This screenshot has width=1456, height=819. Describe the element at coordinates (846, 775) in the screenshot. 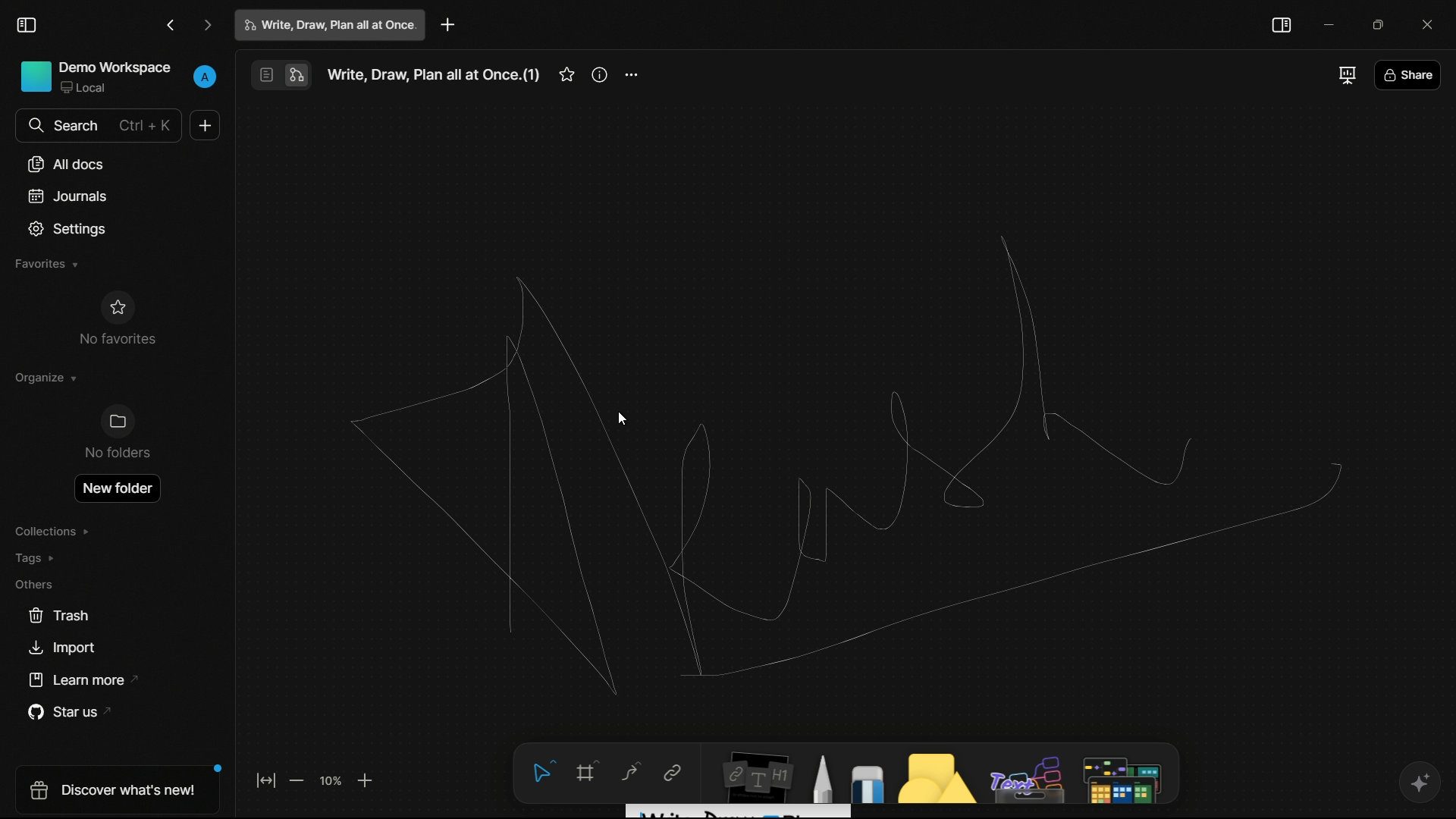

I see `draw` at that location.